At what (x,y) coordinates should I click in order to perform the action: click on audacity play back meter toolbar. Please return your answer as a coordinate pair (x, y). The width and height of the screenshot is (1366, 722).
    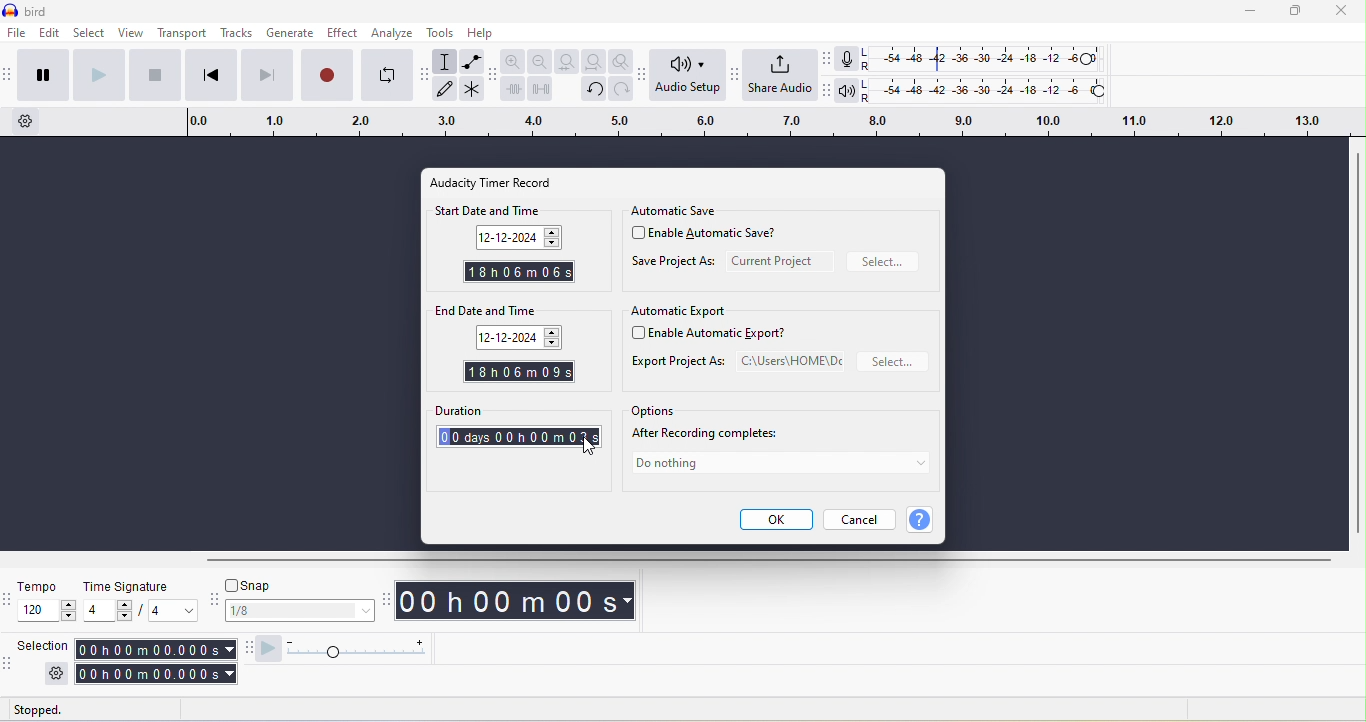
    Looking at the image, I should click on (823, 93).